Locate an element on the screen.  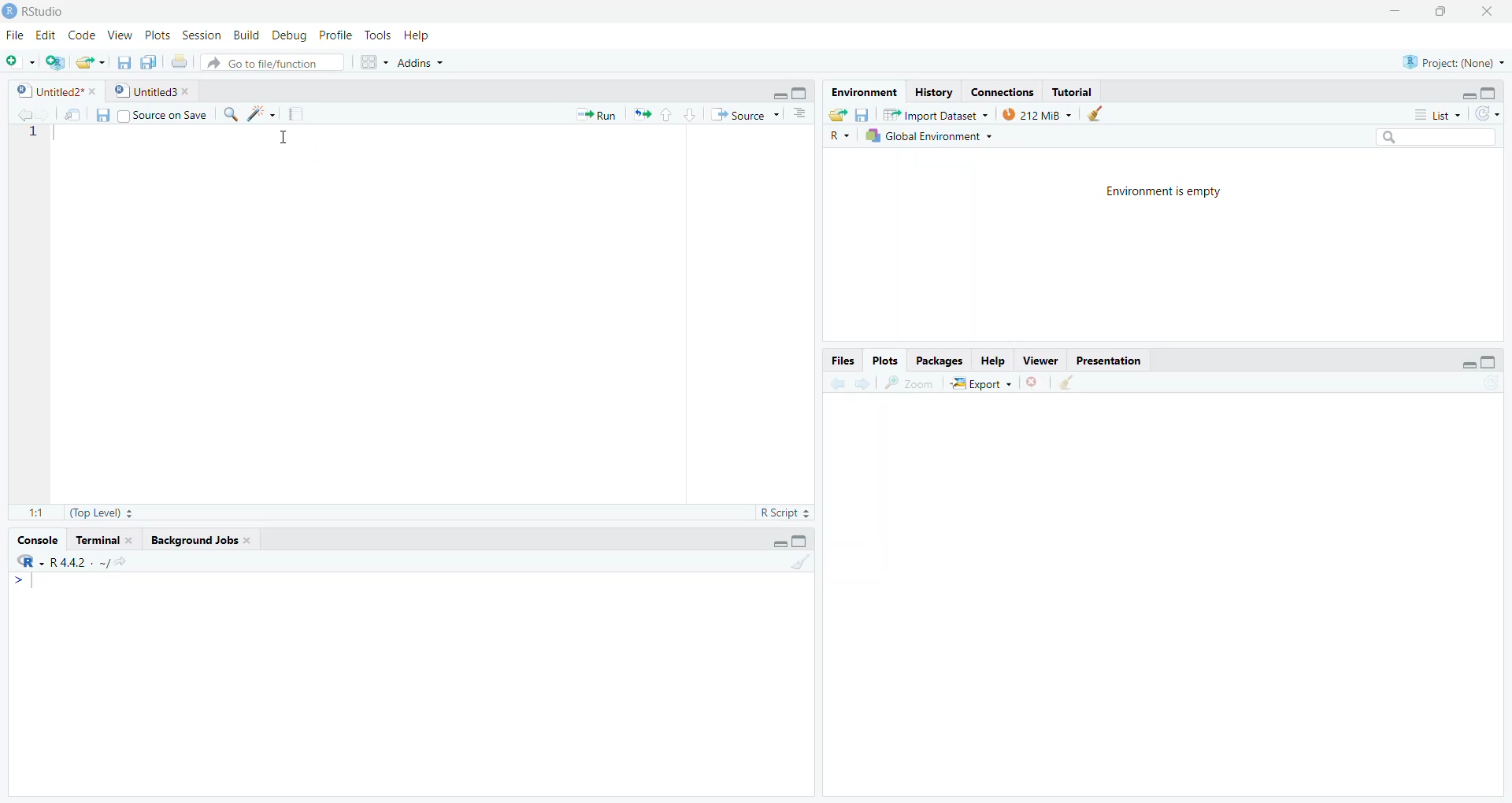
top level is located at coordinates (102, 512).